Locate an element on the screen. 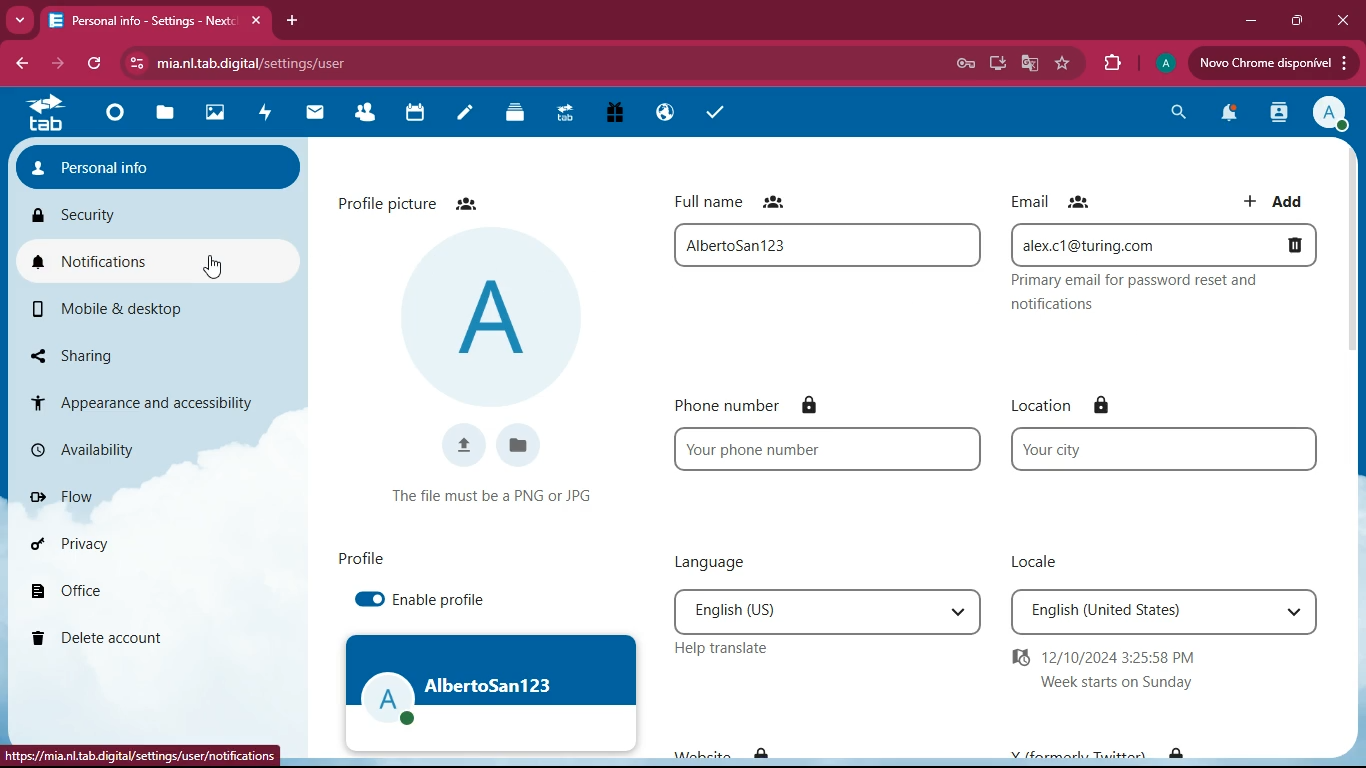 This screenshot has height=768, width=1366. Password is located at coordinates (965, 63).